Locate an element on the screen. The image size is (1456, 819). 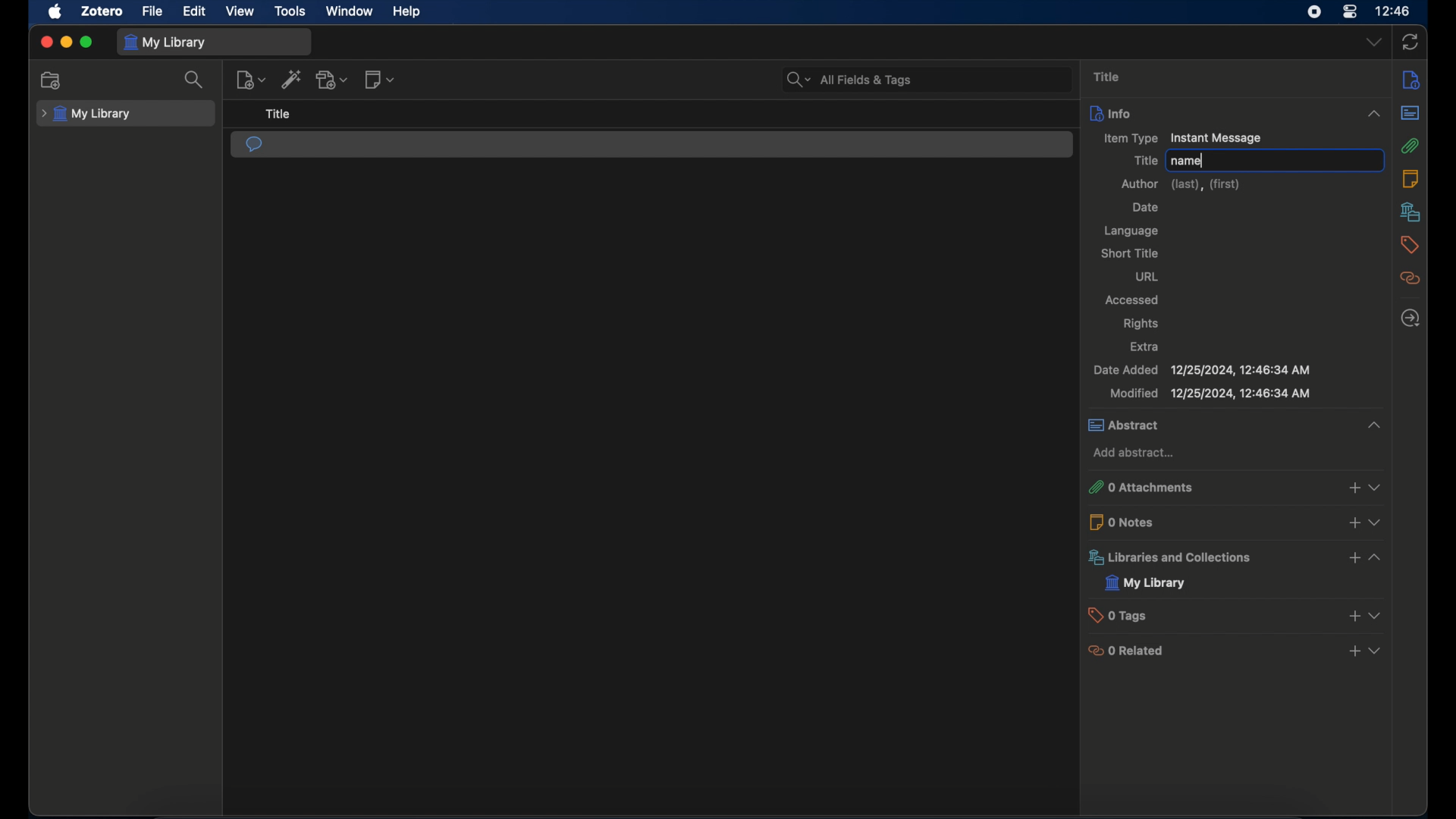
locate is located at coordinates (1410, 317).